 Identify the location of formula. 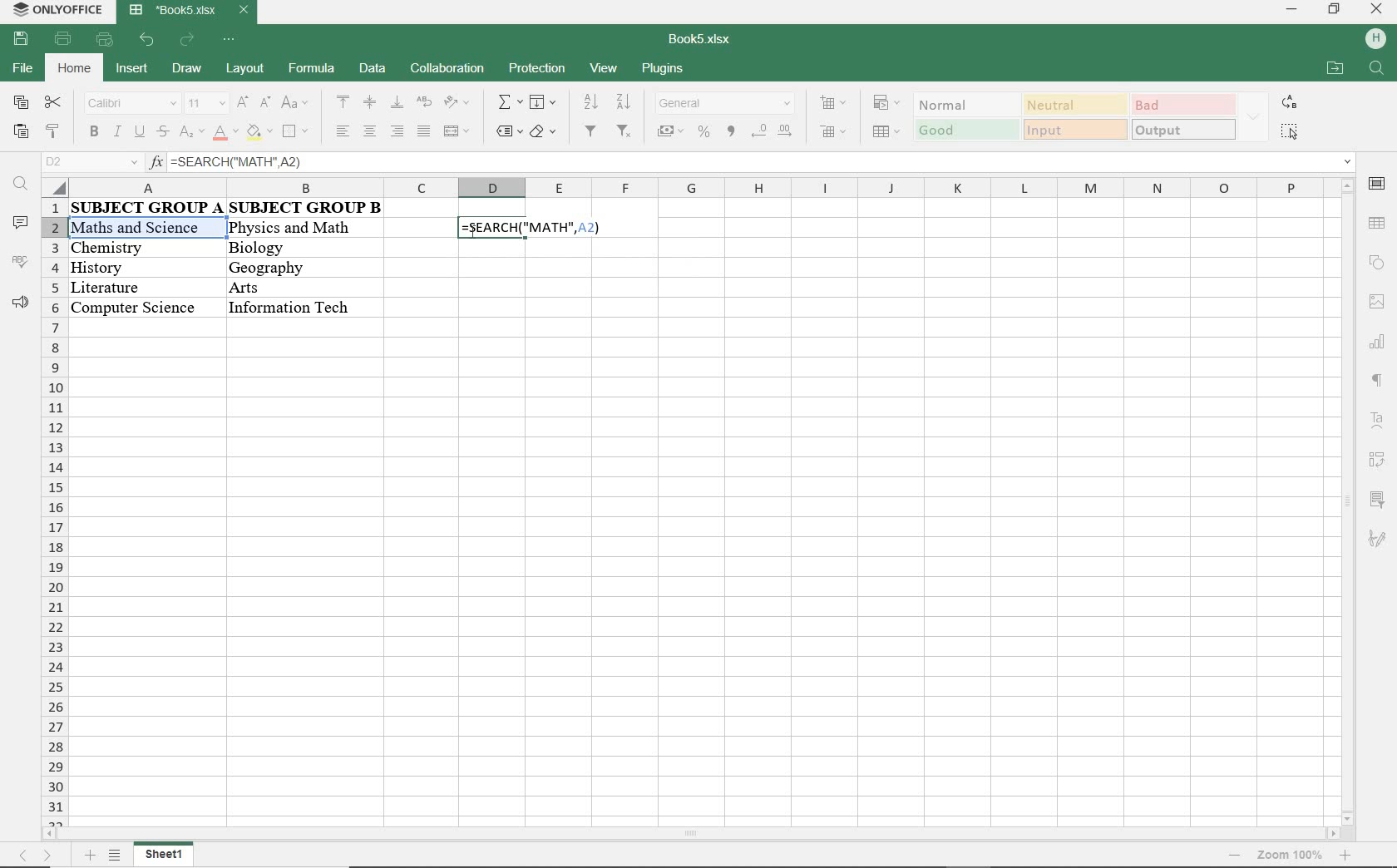
(309, 67).